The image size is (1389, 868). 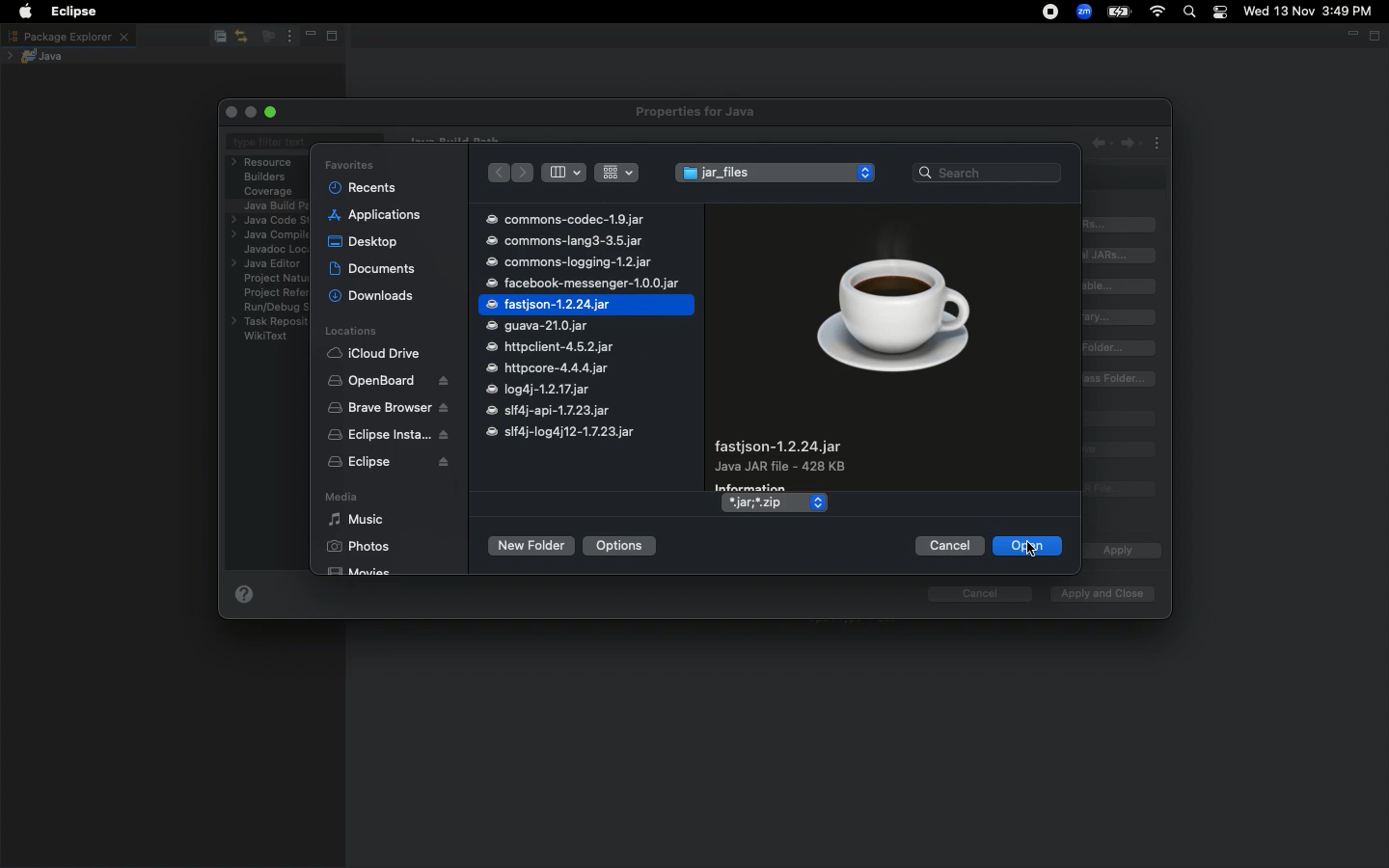 I want to click on *.jar,*.zip, so click(x=763, y=504).